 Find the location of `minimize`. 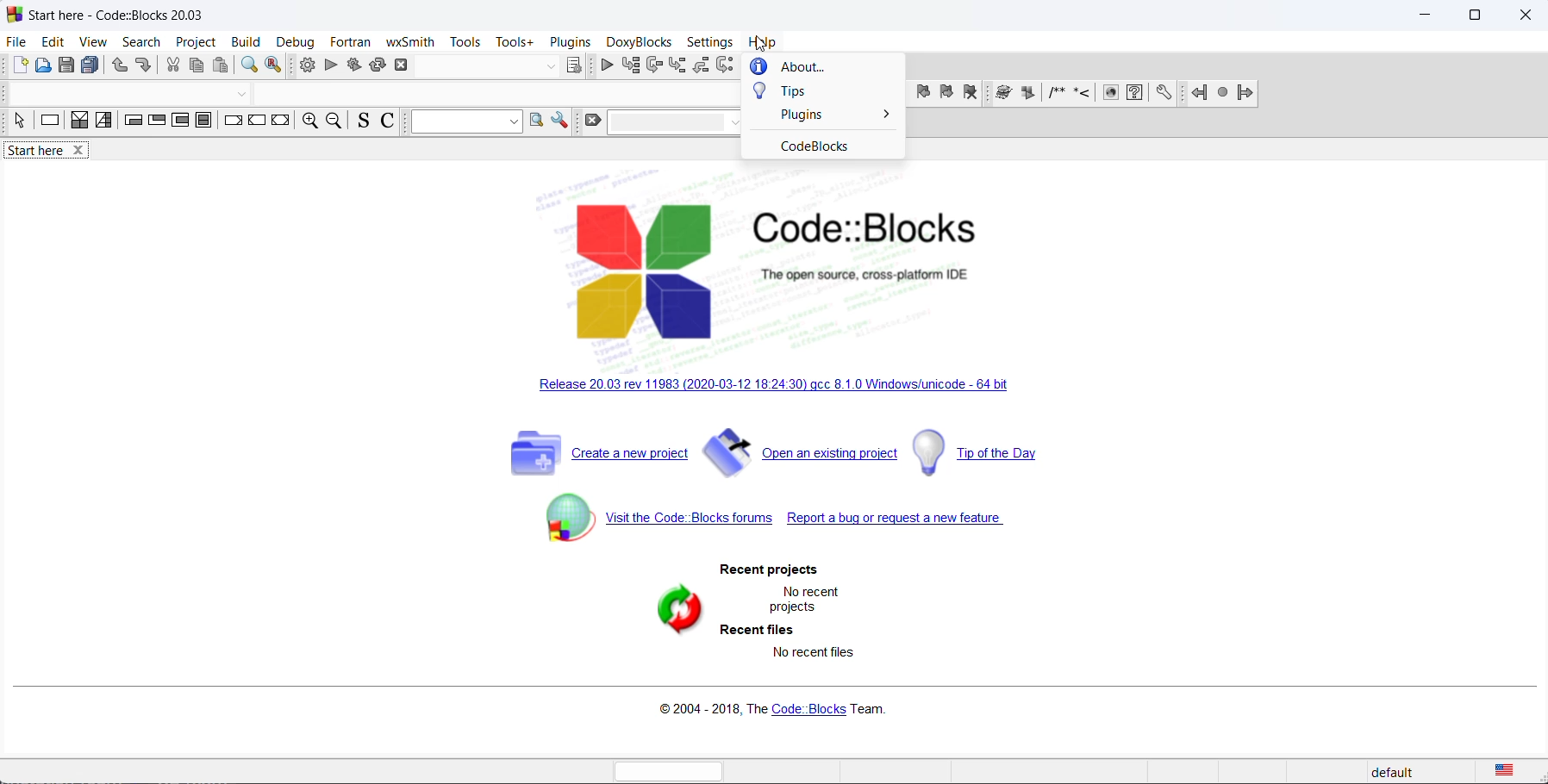

minimize is located at coordinates (1427, 15).